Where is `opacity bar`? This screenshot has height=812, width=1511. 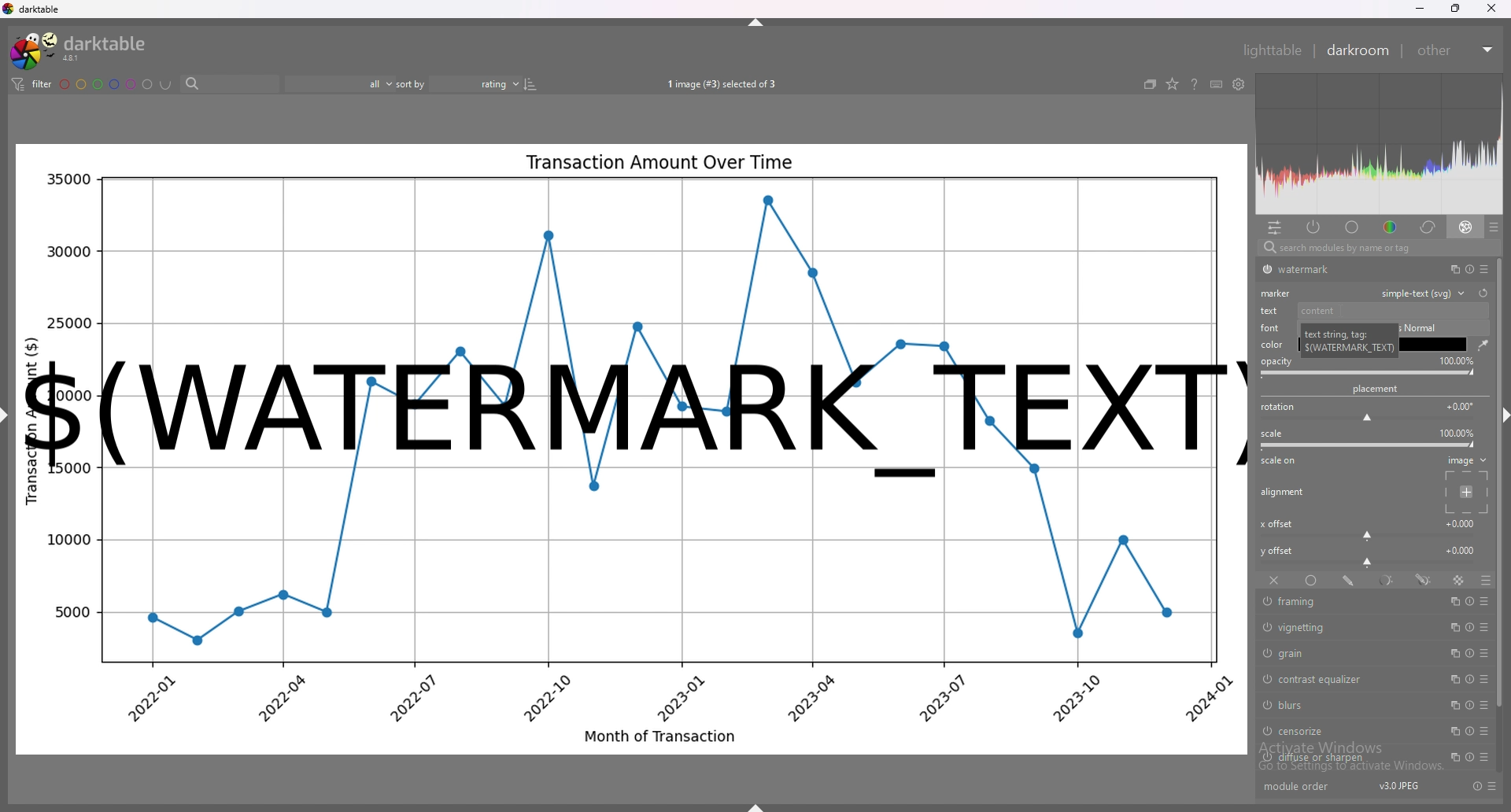 opacity bar is located at coordinates (1368, 374).